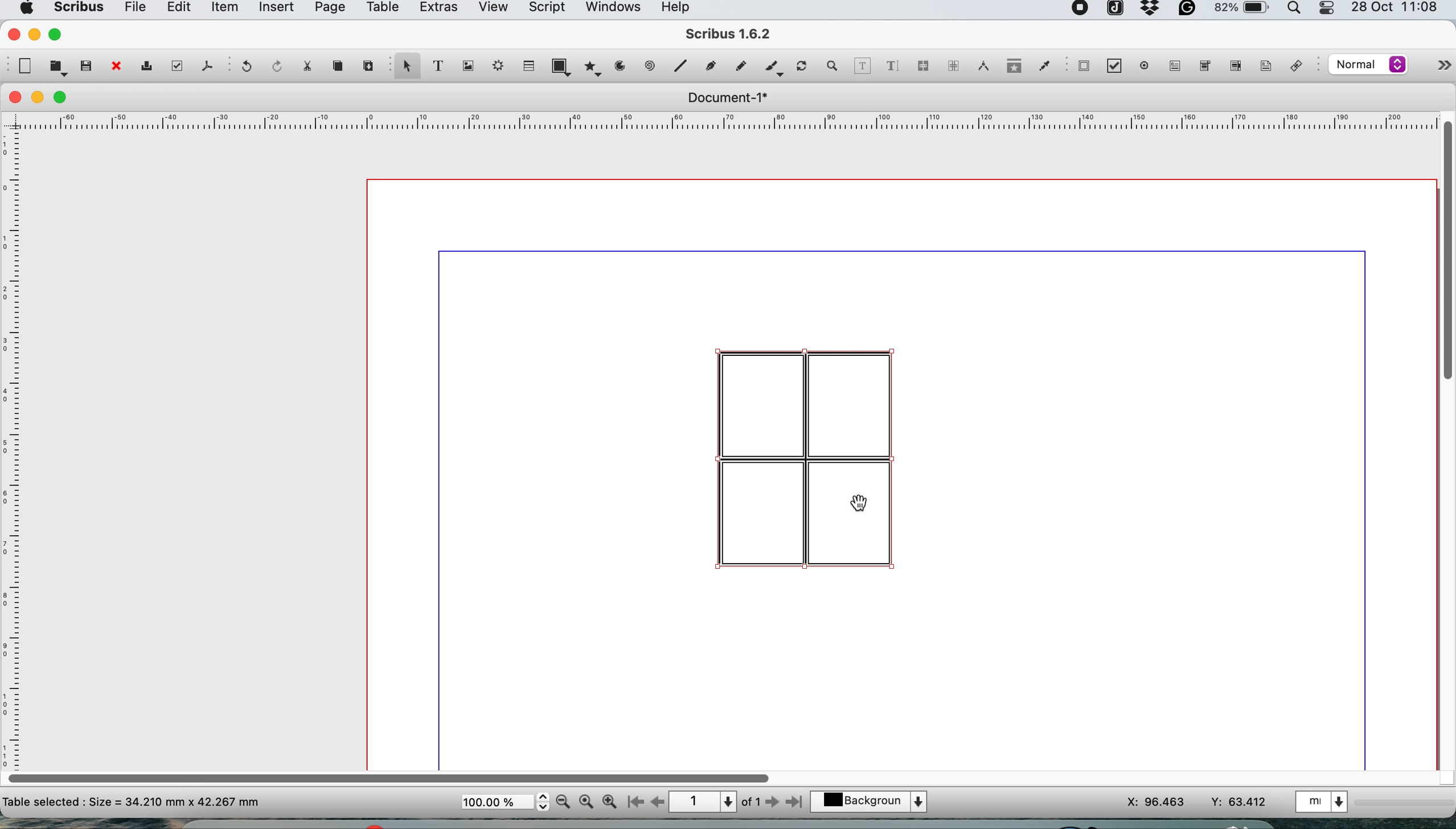 Image resolution: width=1456 pixels, height=829 pixels. What do you see at coordinates (714, 802) in the screenshot?
I see `page 1 of 1` at bounding box center [714, 802].